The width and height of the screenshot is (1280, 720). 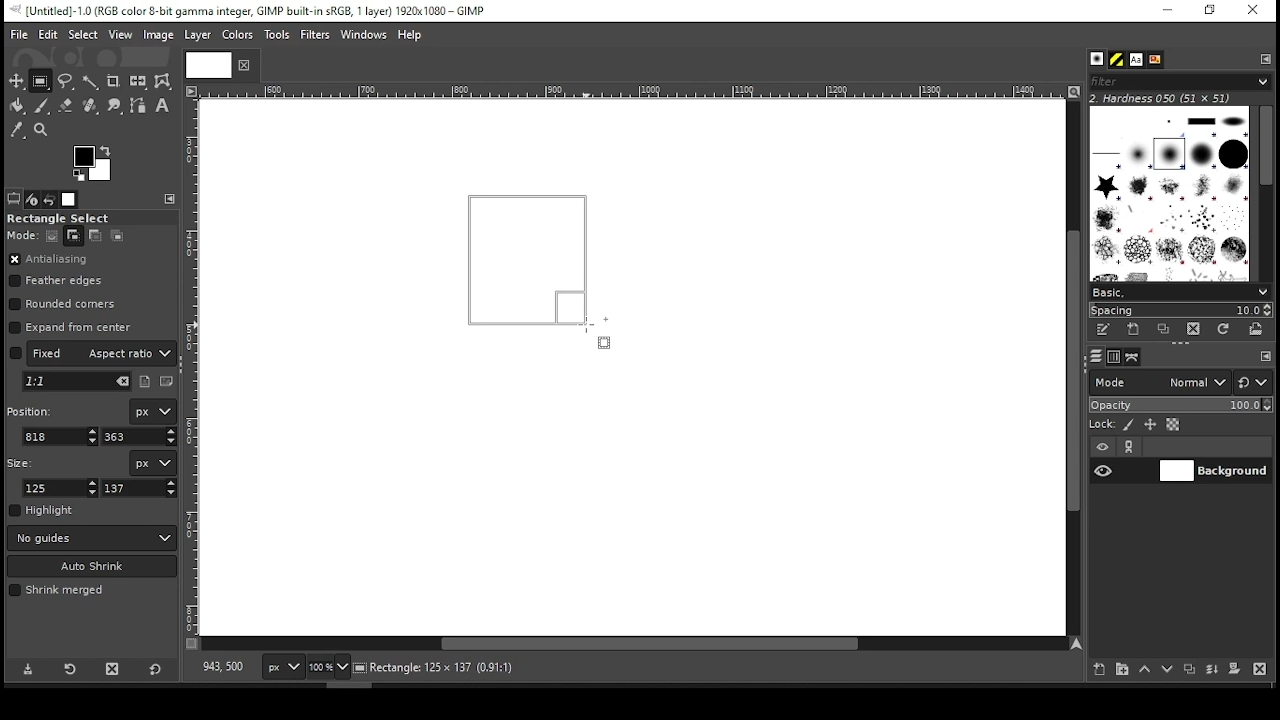 What do you see at coordinates (1152, 425) in the screenshot?
I see `lock size and positioning` at bounding box center [1152, 425].